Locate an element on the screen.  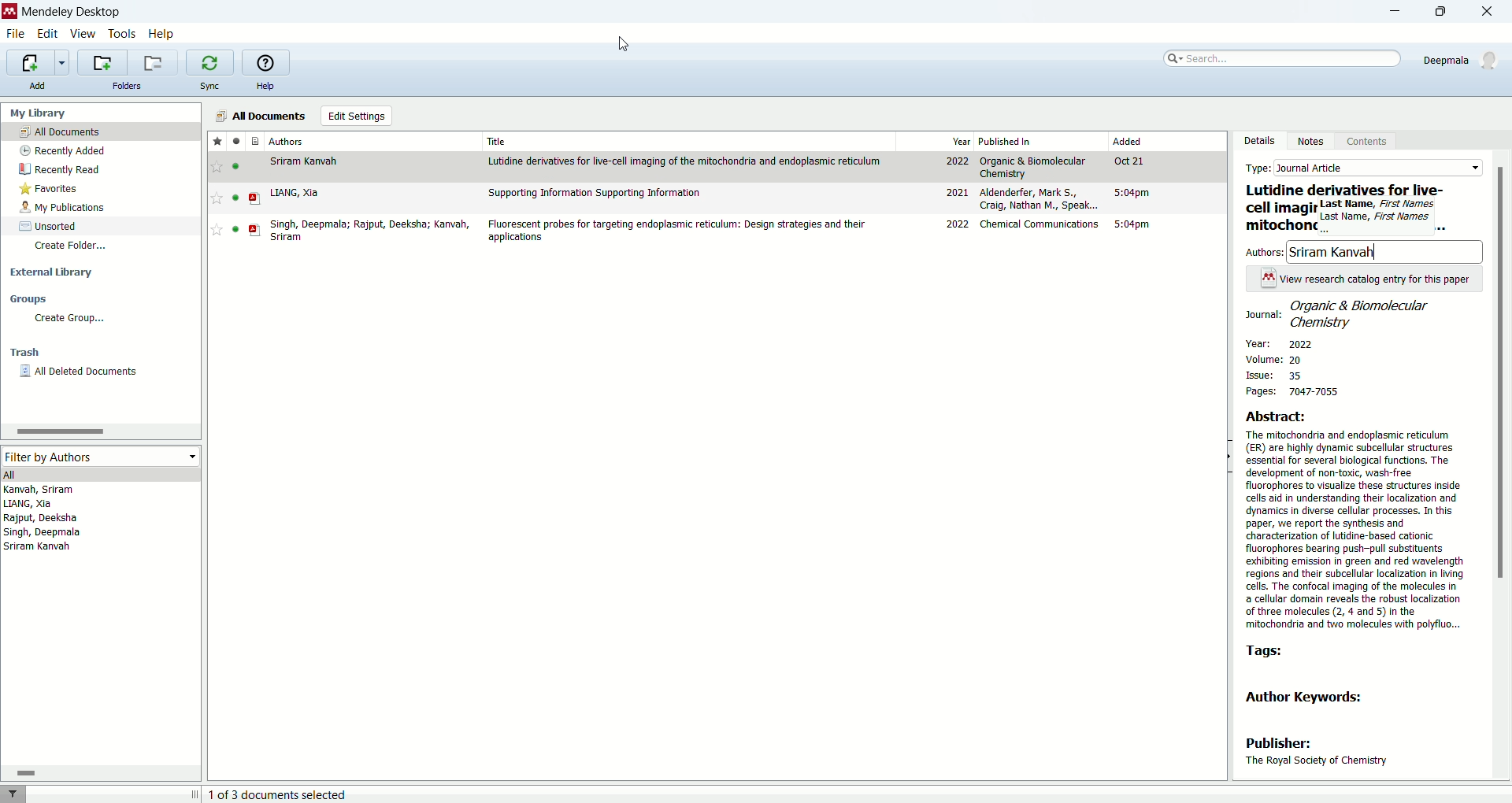
Kanvah, Sriram is located at coordinates (60, 490).